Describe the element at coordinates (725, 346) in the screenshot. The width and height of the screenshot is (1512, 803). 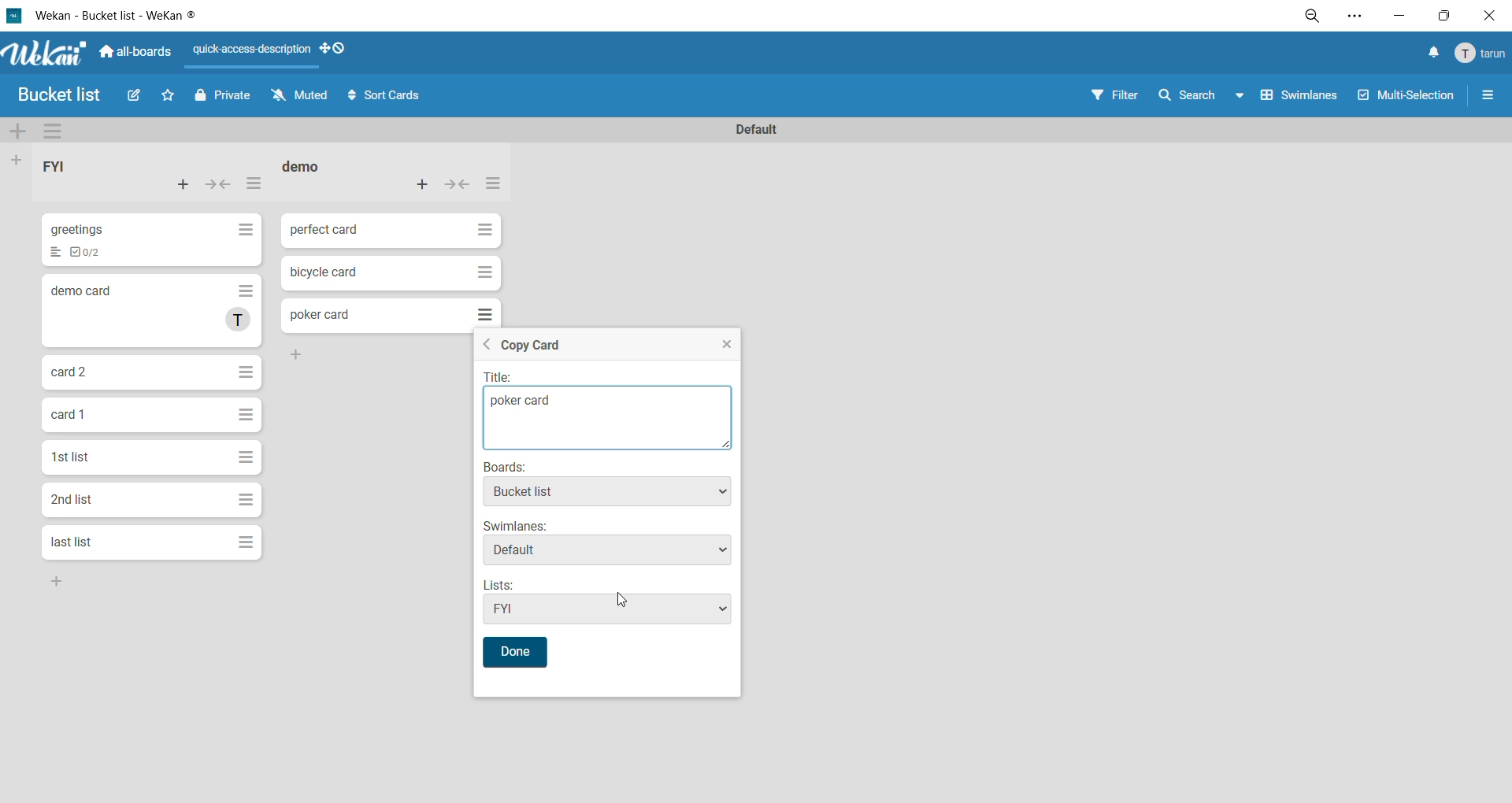
I see `close` at that location.